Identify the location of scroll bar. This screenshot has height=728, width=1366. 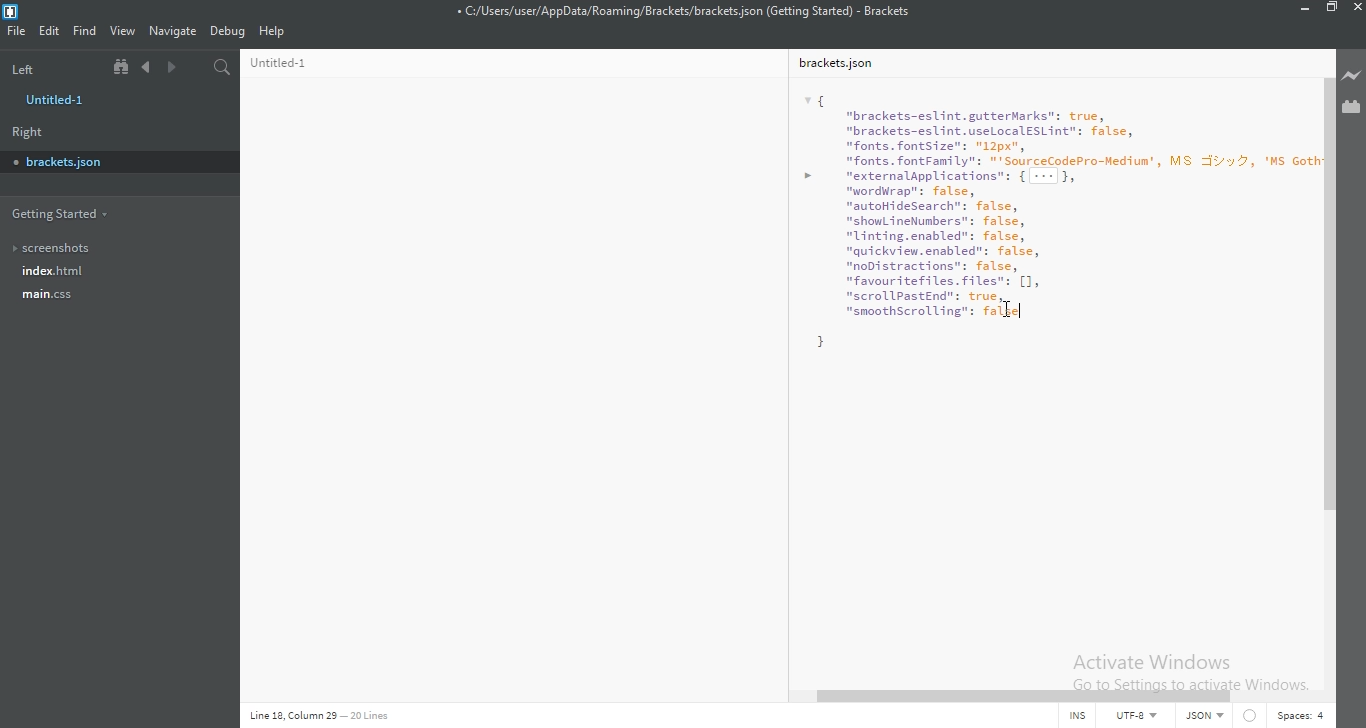
(1042, 697).